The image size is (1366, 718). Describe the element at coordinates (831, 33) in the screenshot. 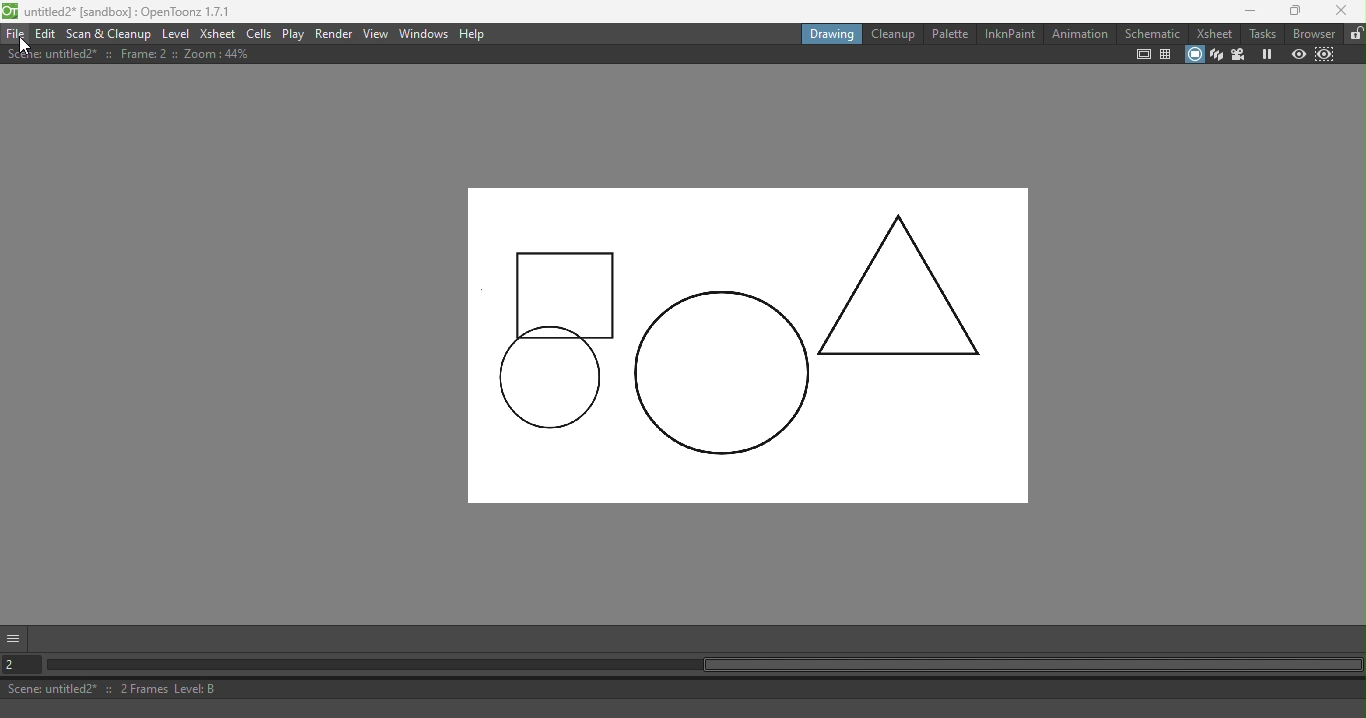

I see `Drawing` at that location.